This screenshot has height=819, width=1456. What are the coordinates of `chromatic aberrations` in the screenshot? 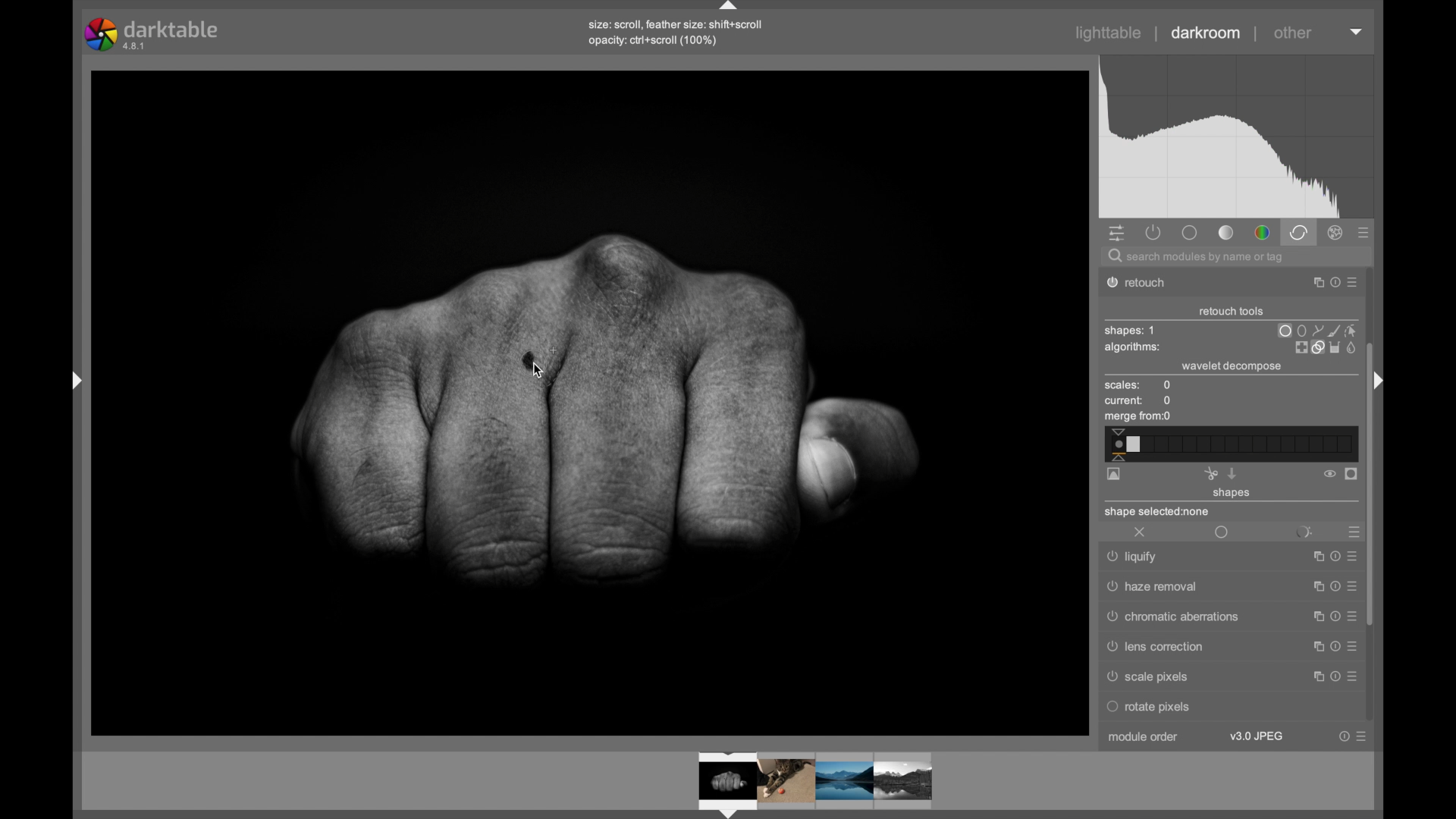 It's located at (1170, 618).